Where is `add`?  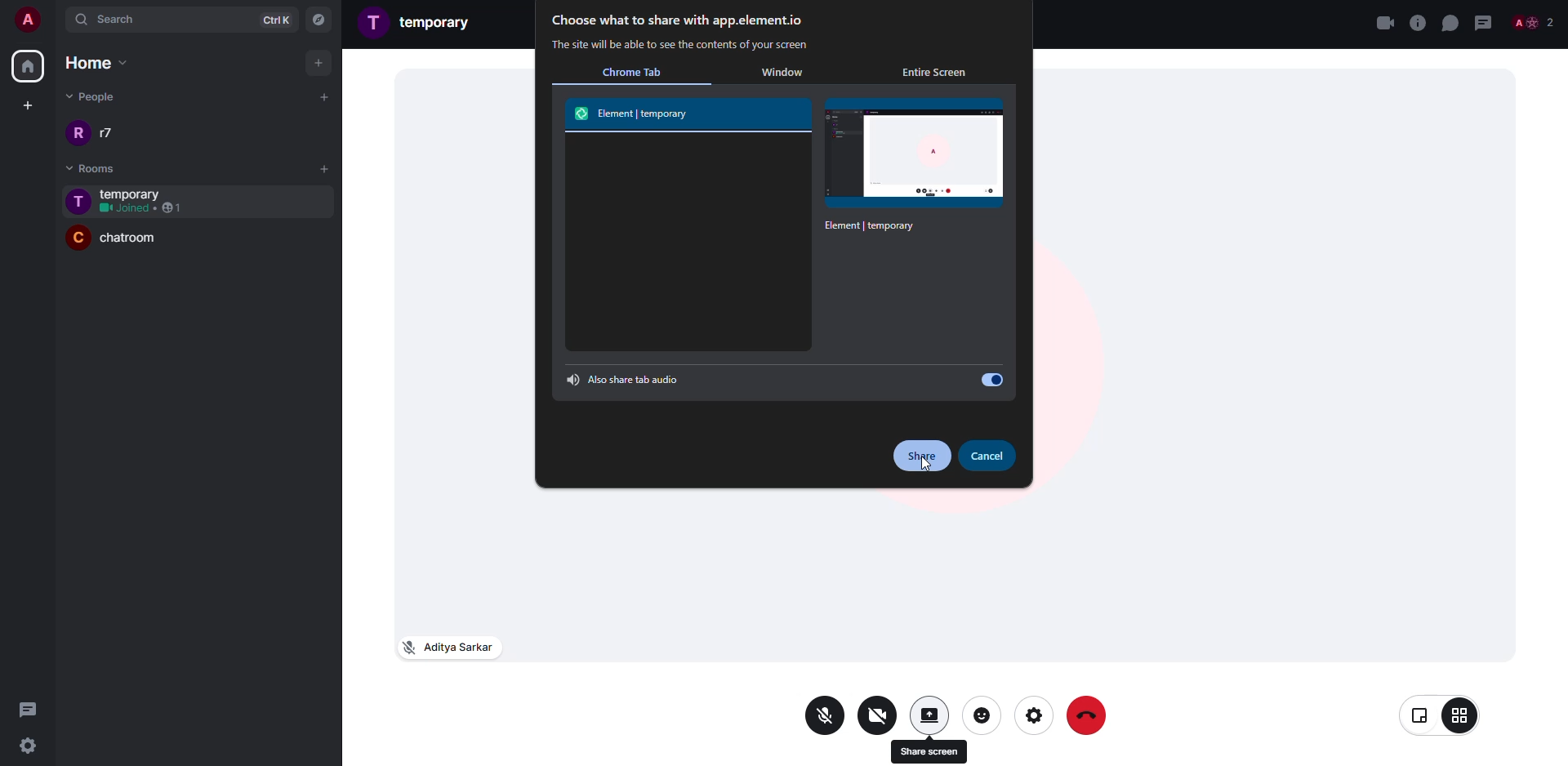
add is located at coordinates (320, 62).